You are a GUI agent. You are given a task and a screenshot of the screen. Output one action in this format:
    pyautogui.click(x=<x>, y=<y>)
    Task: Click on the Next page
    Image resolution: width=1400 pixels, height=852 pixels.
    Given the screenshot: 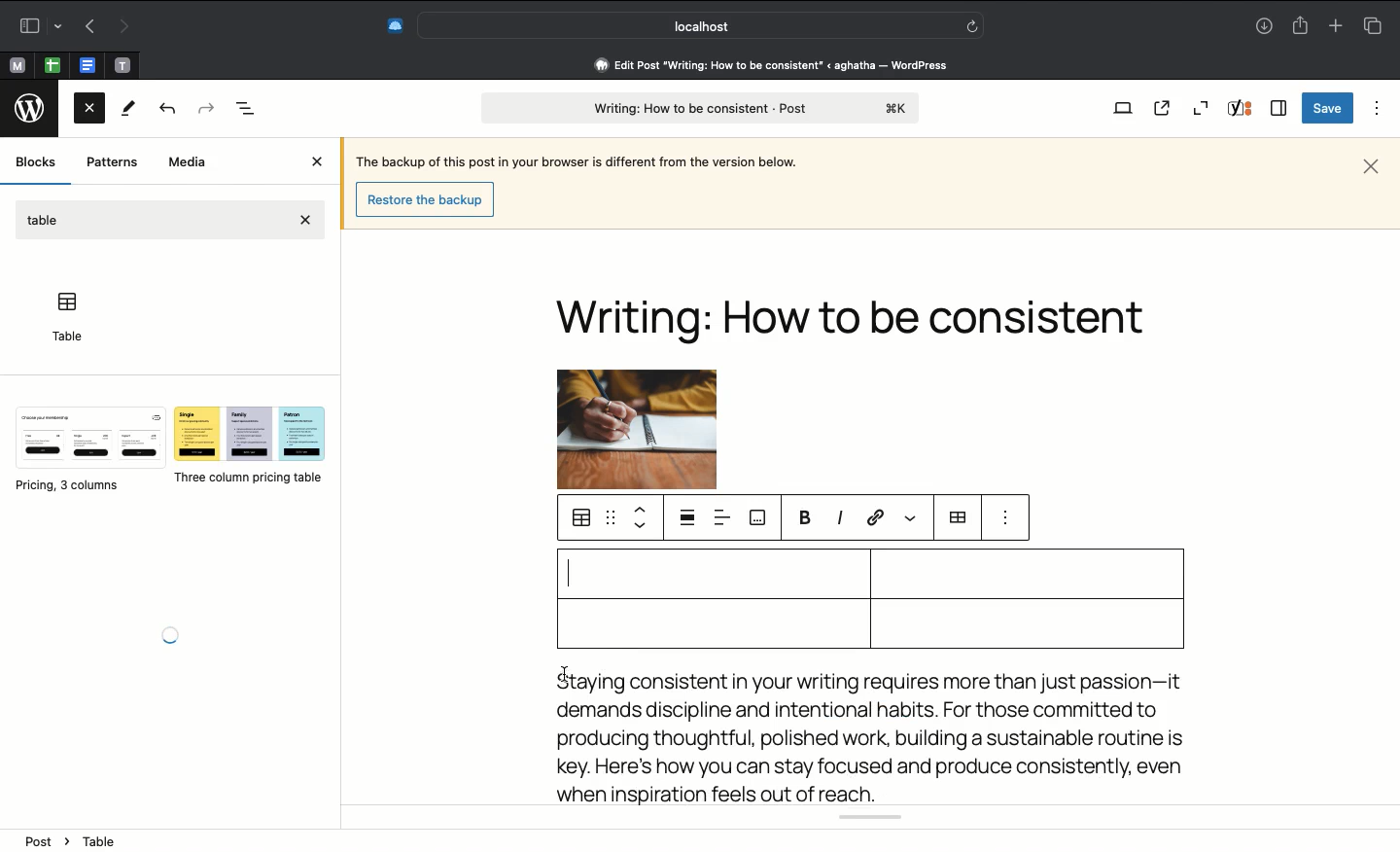 What is the action you would take?
    pyautogui.click(x=122, y=28)
    